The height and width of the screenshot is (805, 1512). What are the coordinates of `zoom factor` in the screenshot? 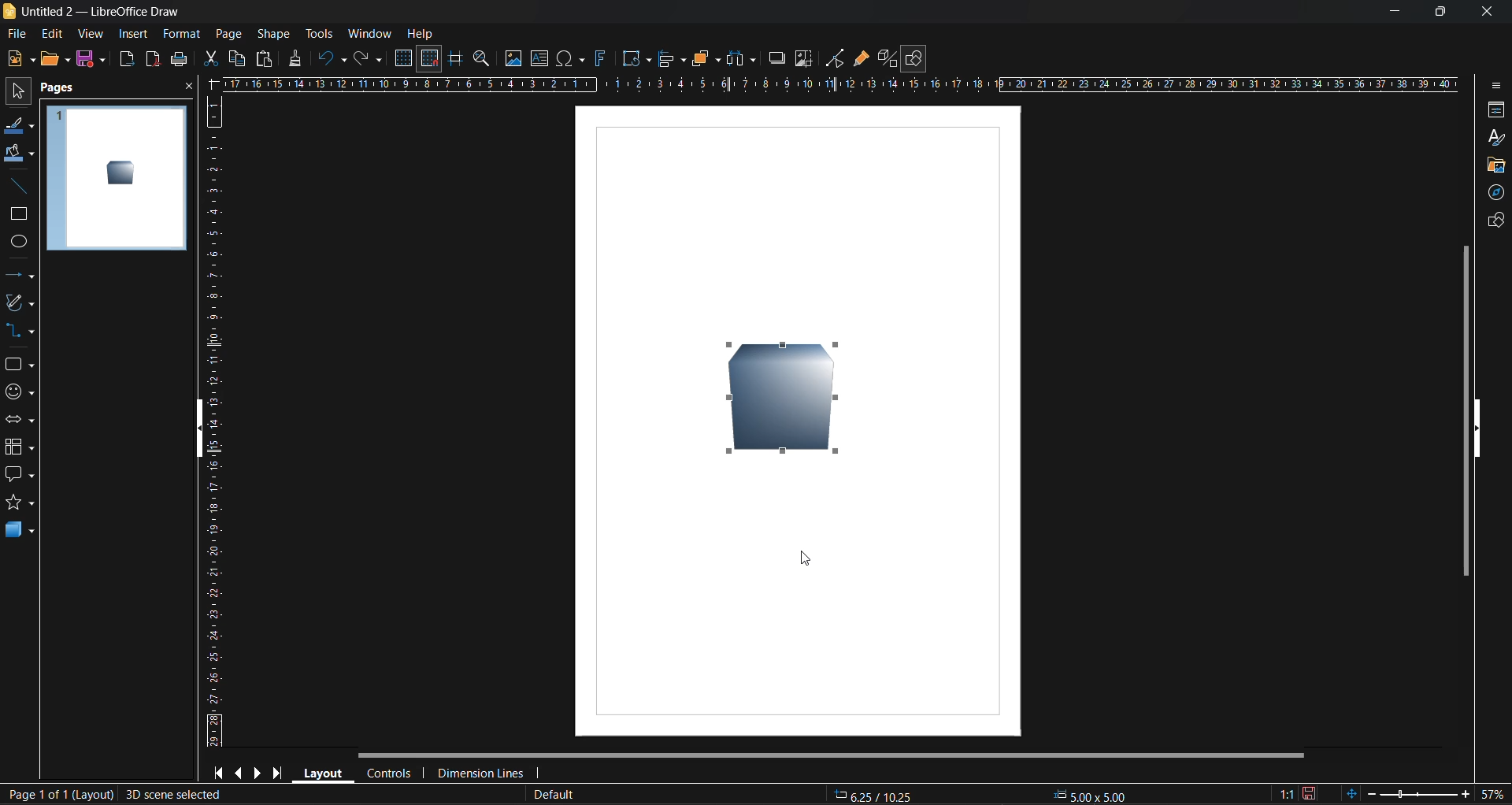 It's located at (1494, 792).